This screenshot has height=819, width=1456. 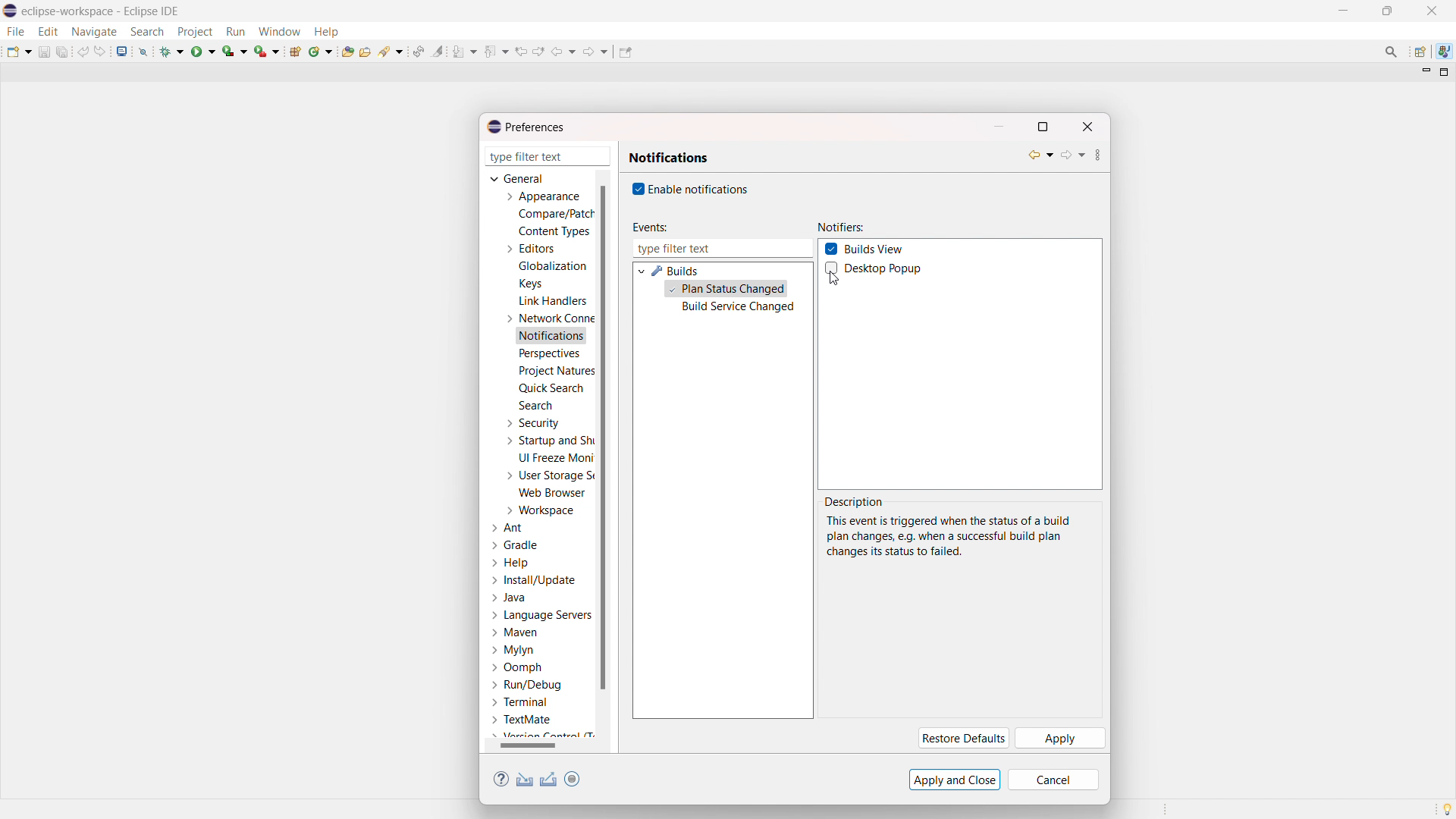 I want to click on startup and shutdown, so click(x=548, y=441).